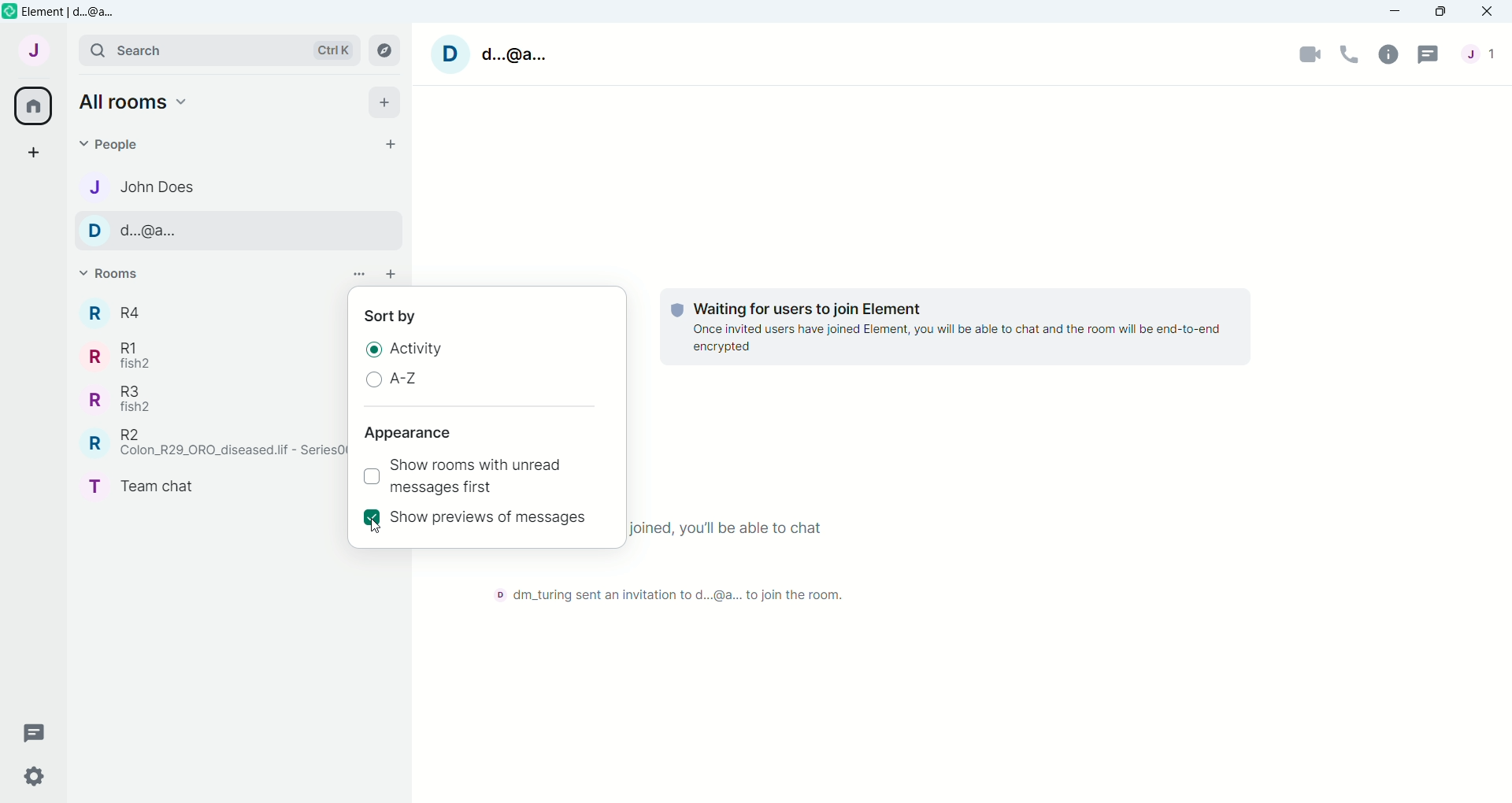 This screenshot has height=803, width=1512. Describe the element at coordinates (391, 275) in the screenshot. I see `add room` at that location.